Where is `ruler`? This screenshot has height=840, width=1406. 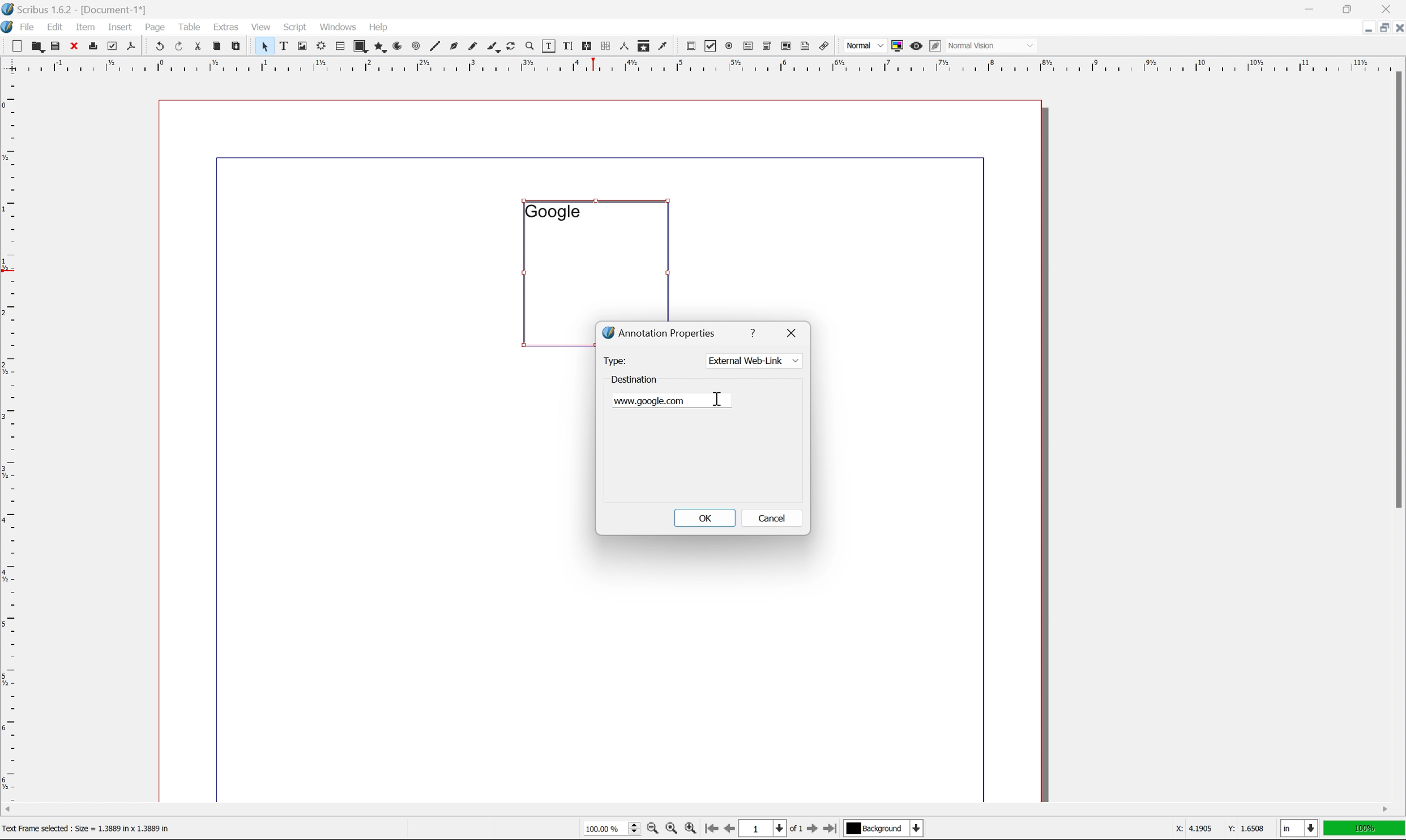
ruler is located at coordinates (10, 436).